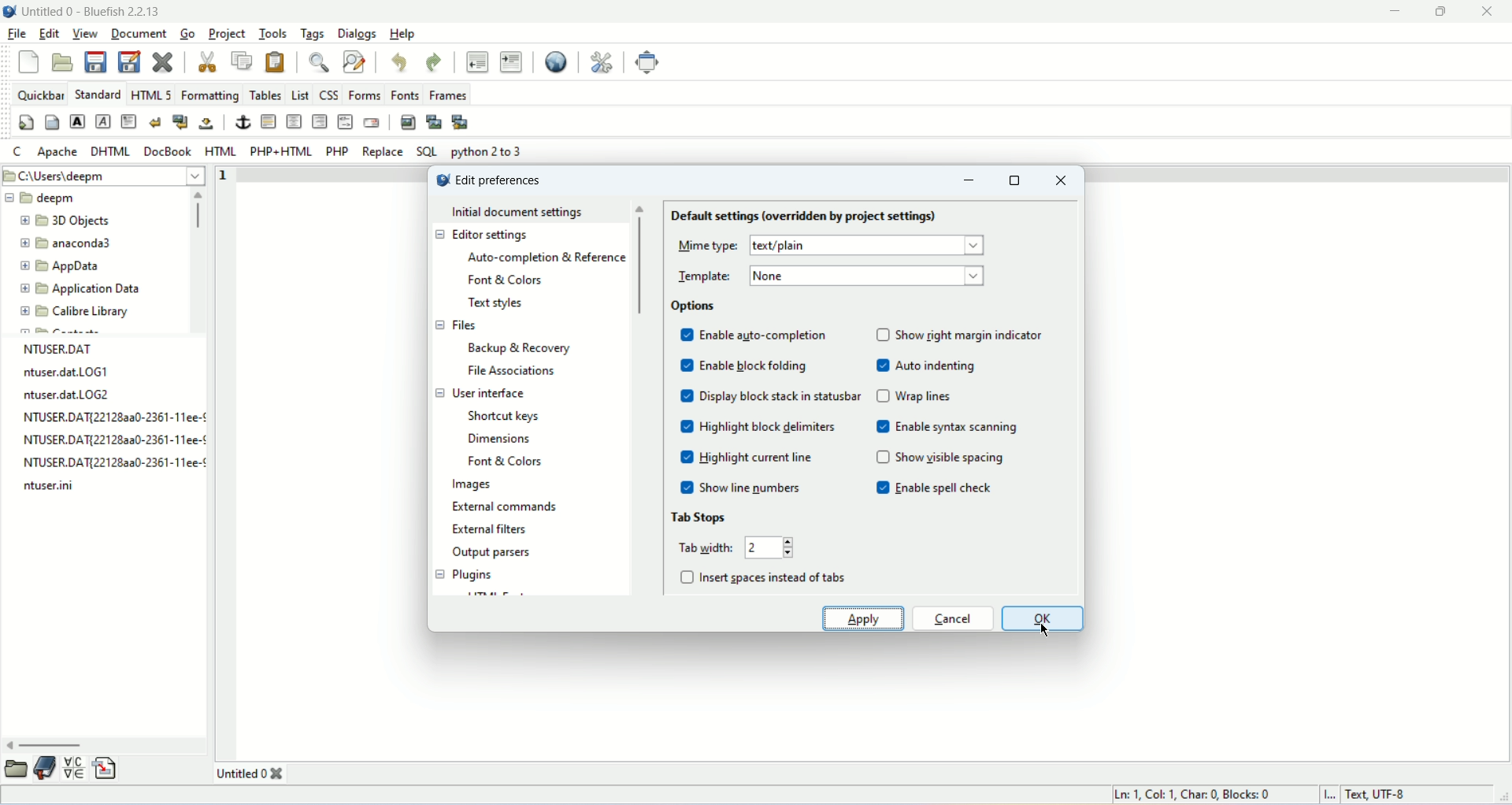 Image resolution: width=1512 pixels, height=805 pixels. Describe the element at coordinates (106, 768) in the screenshot. I see `snippet` at that location.